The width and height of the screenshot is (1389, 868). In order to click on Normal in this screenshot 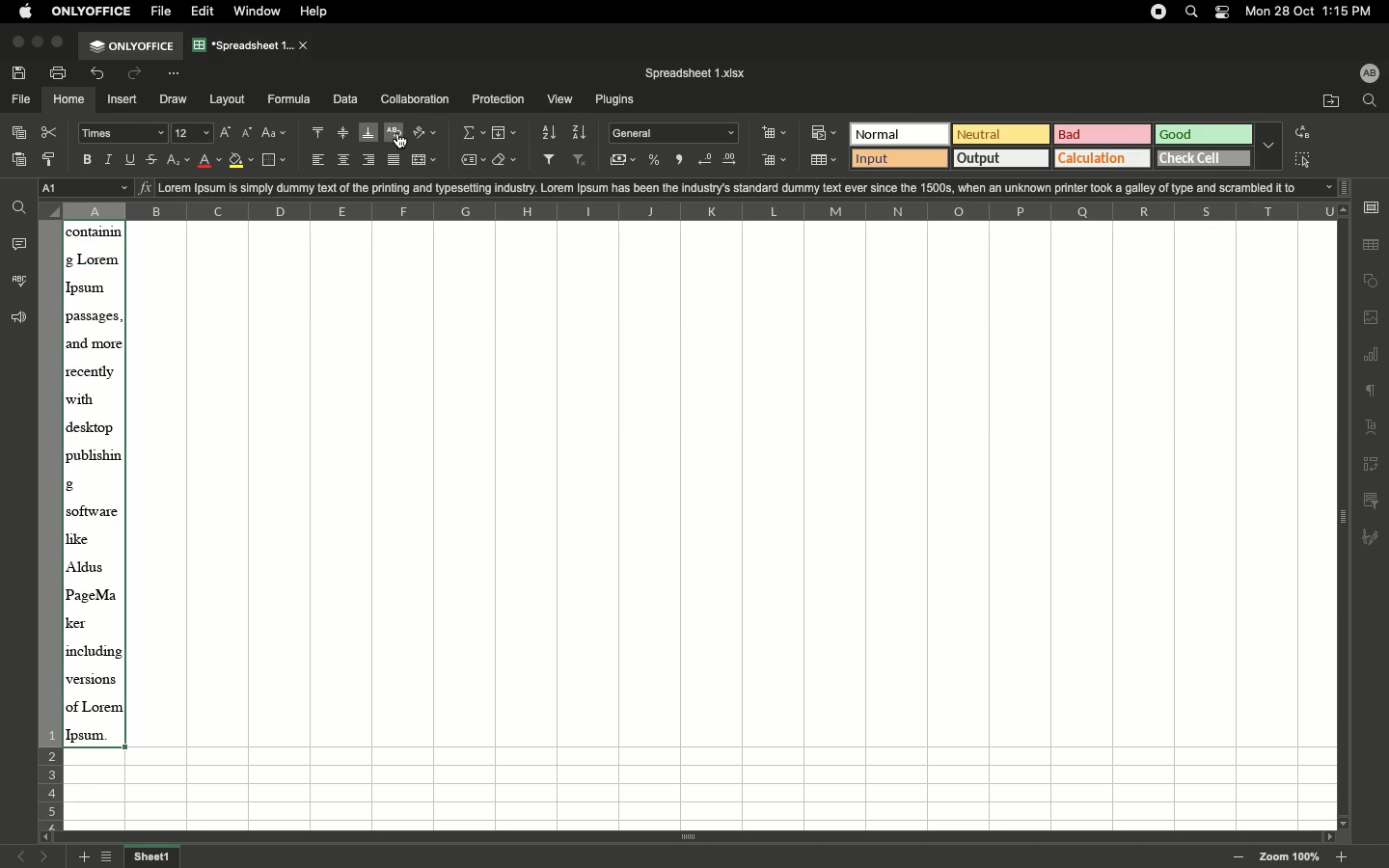, I will do `click(900, 133)`.